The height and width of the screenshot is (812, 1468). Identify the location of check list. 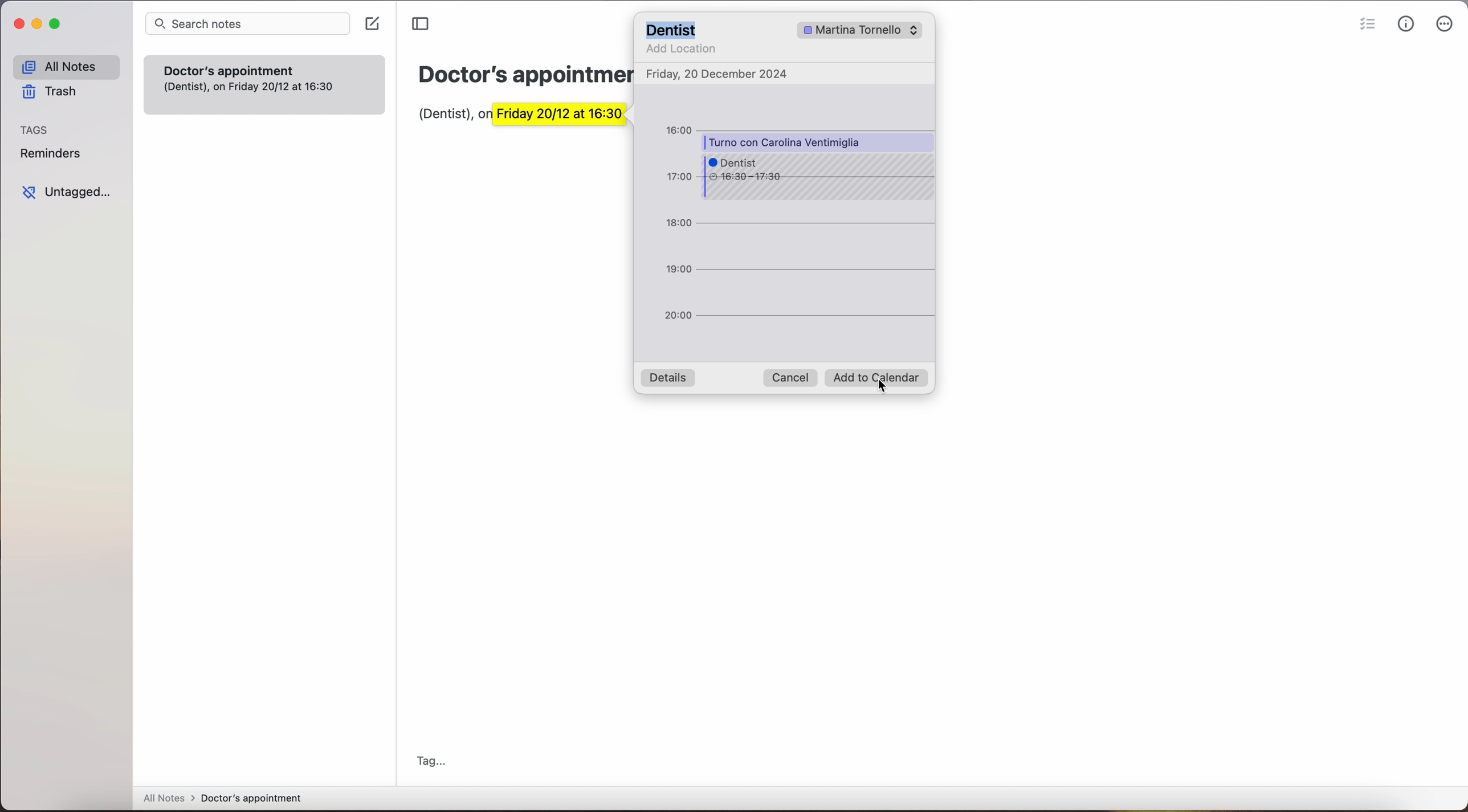
(1364, 26).